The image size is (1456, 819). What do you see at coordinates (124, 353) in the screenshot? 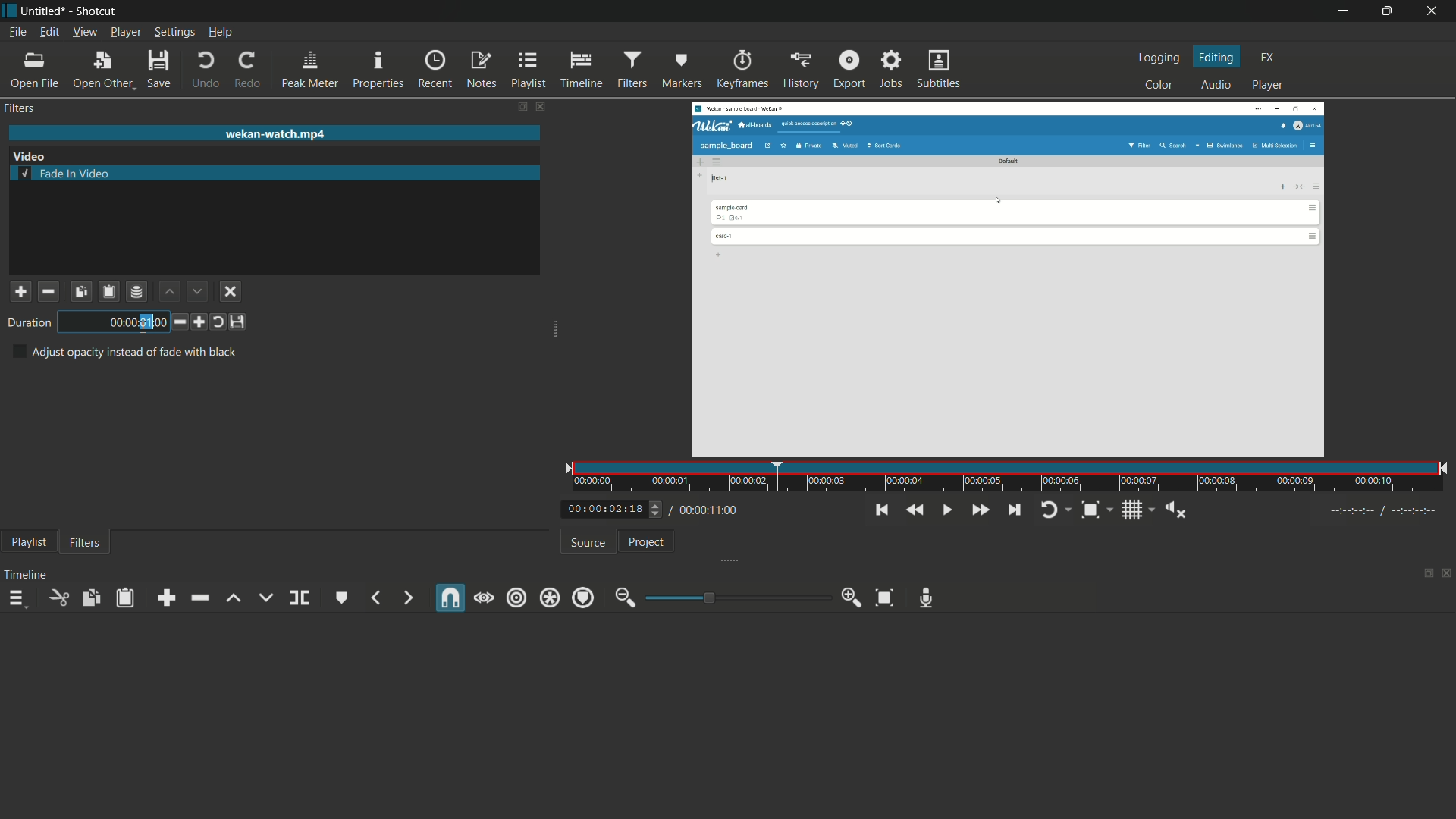
I see `text` at bounding box center [124, 353].